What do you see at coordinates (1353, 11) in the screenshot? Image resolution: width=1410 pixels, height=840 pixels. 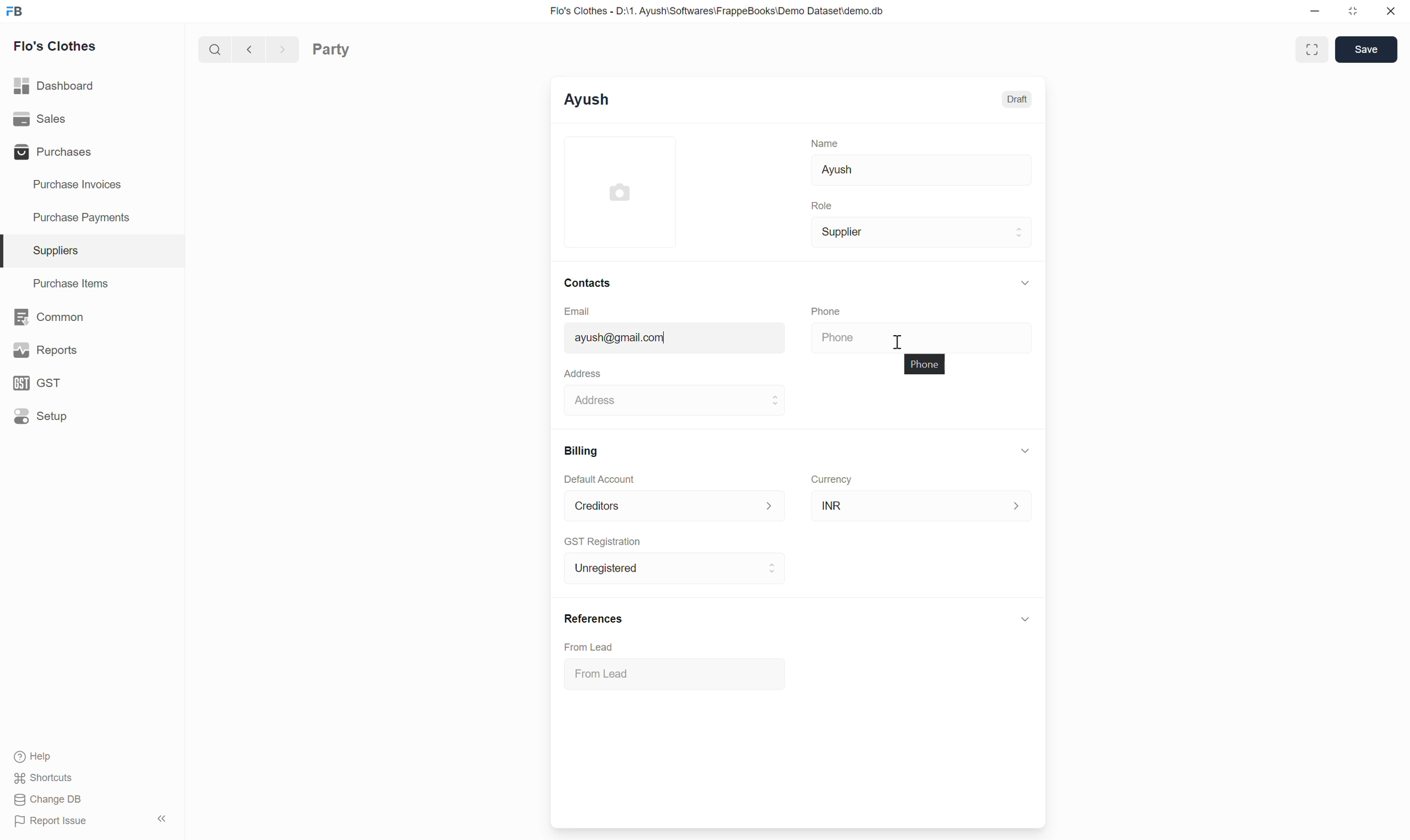 I see `Change dimension` at bounding box center [1353, 11].